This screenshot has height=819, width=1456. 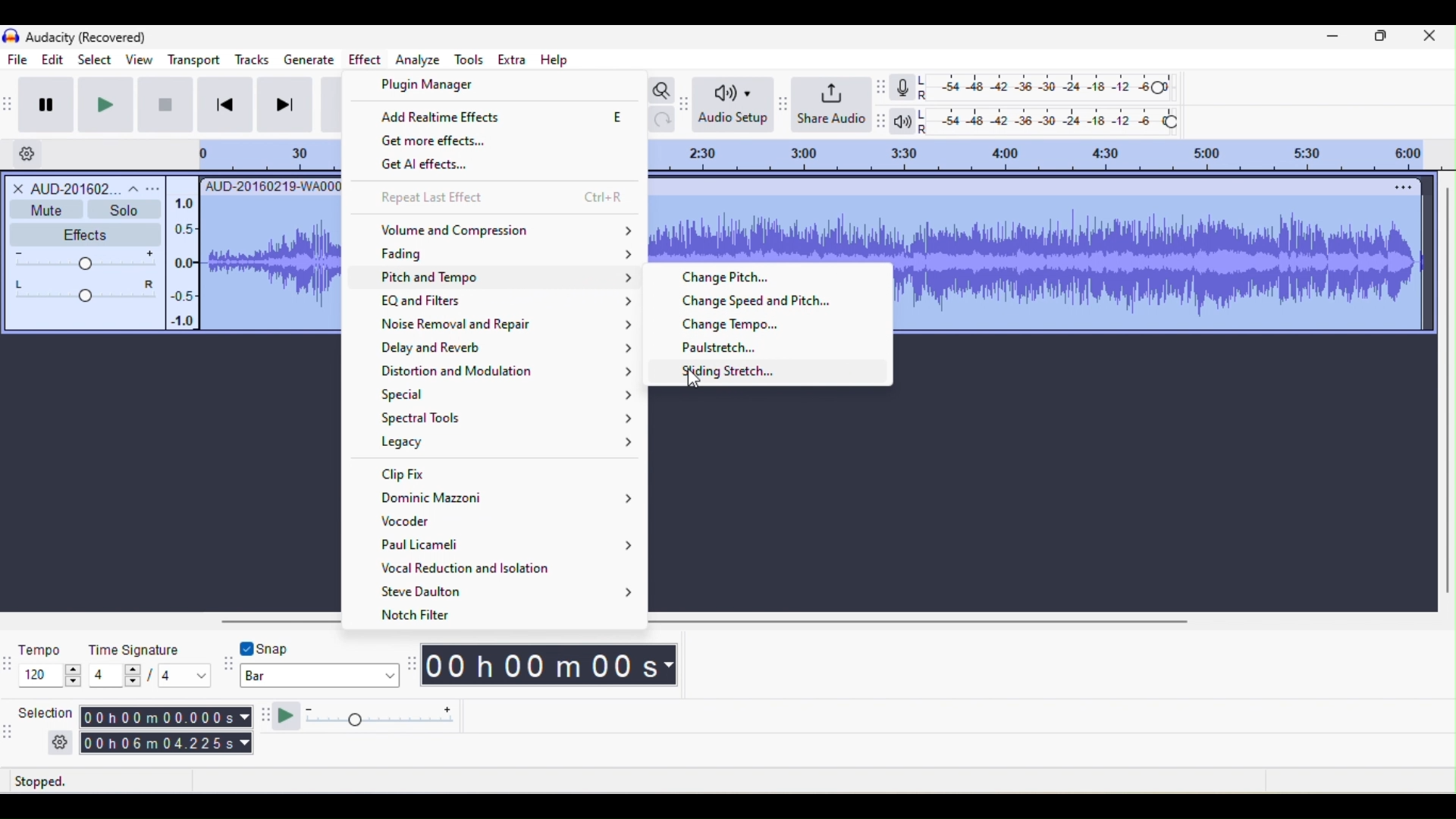 I want to click on change tempo, so click(x=736, y=325).